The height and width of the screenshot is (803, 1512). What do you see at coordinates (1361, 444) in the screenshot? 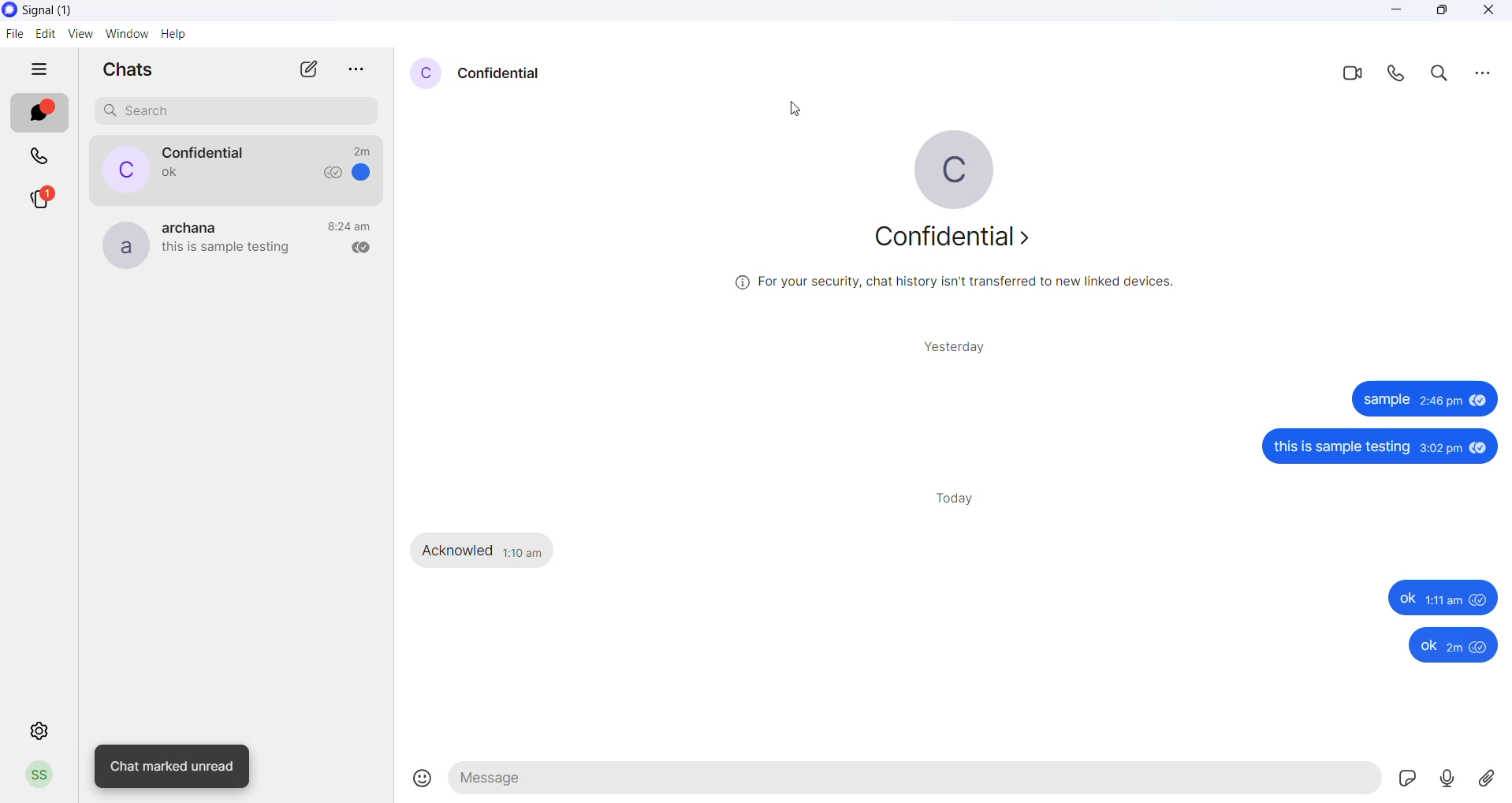
I see `this is sample testing` at bounding box center [1361, 444].